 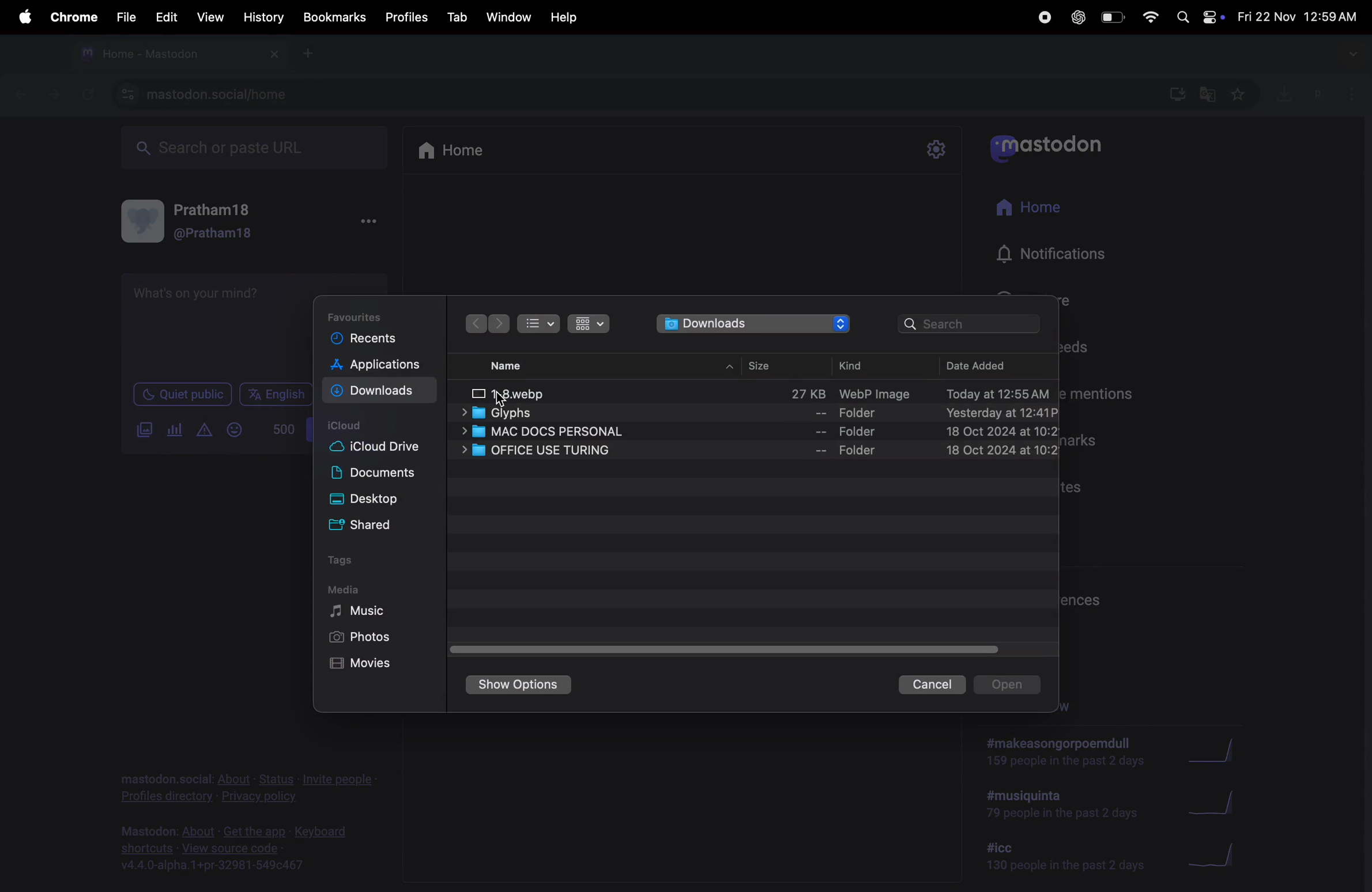 I want to click on refresh, so click(x=88, y=93).